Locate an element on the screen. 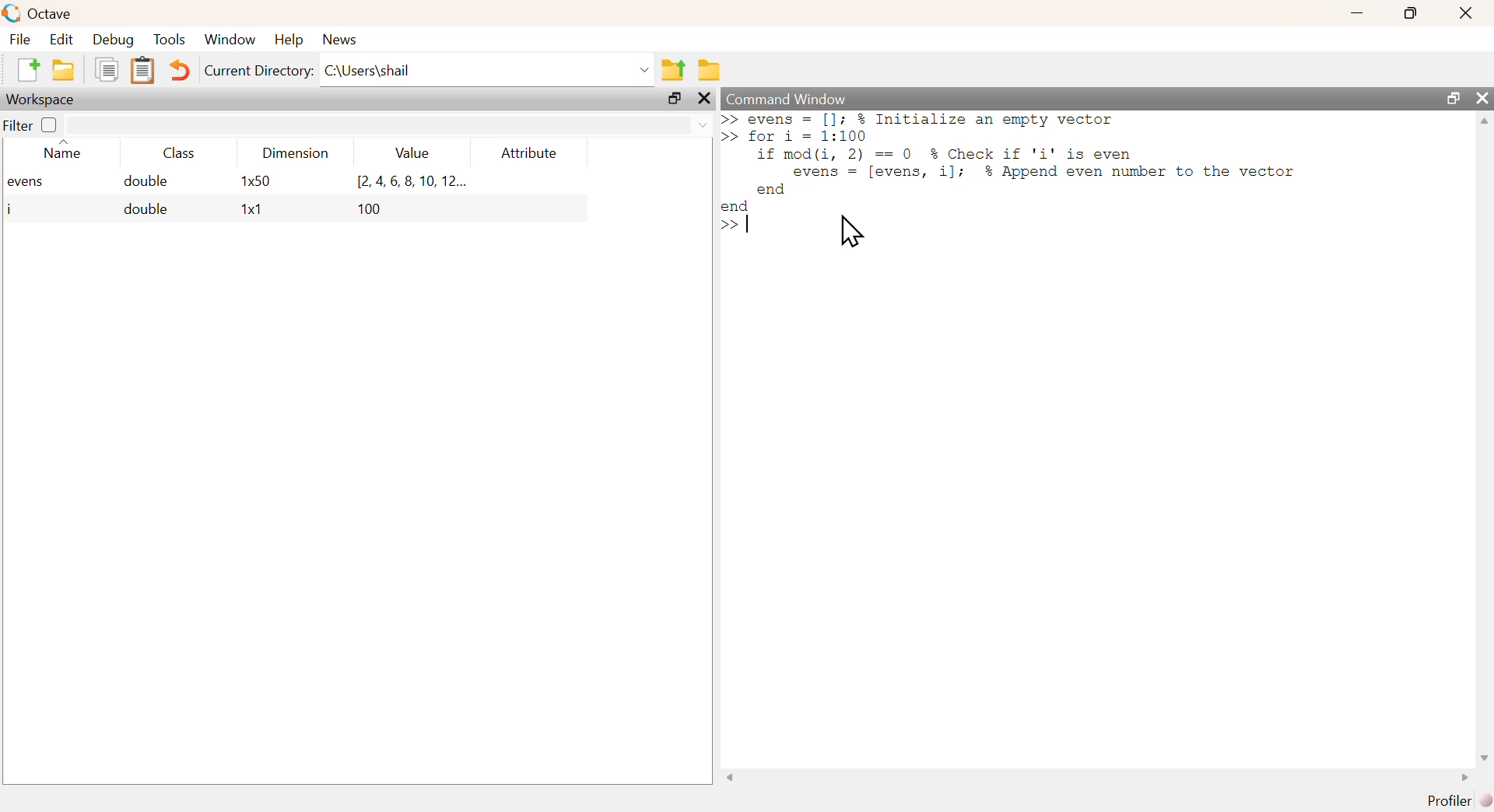 The image size is (1494, 812). current directory is located at coordinates (258, 70).